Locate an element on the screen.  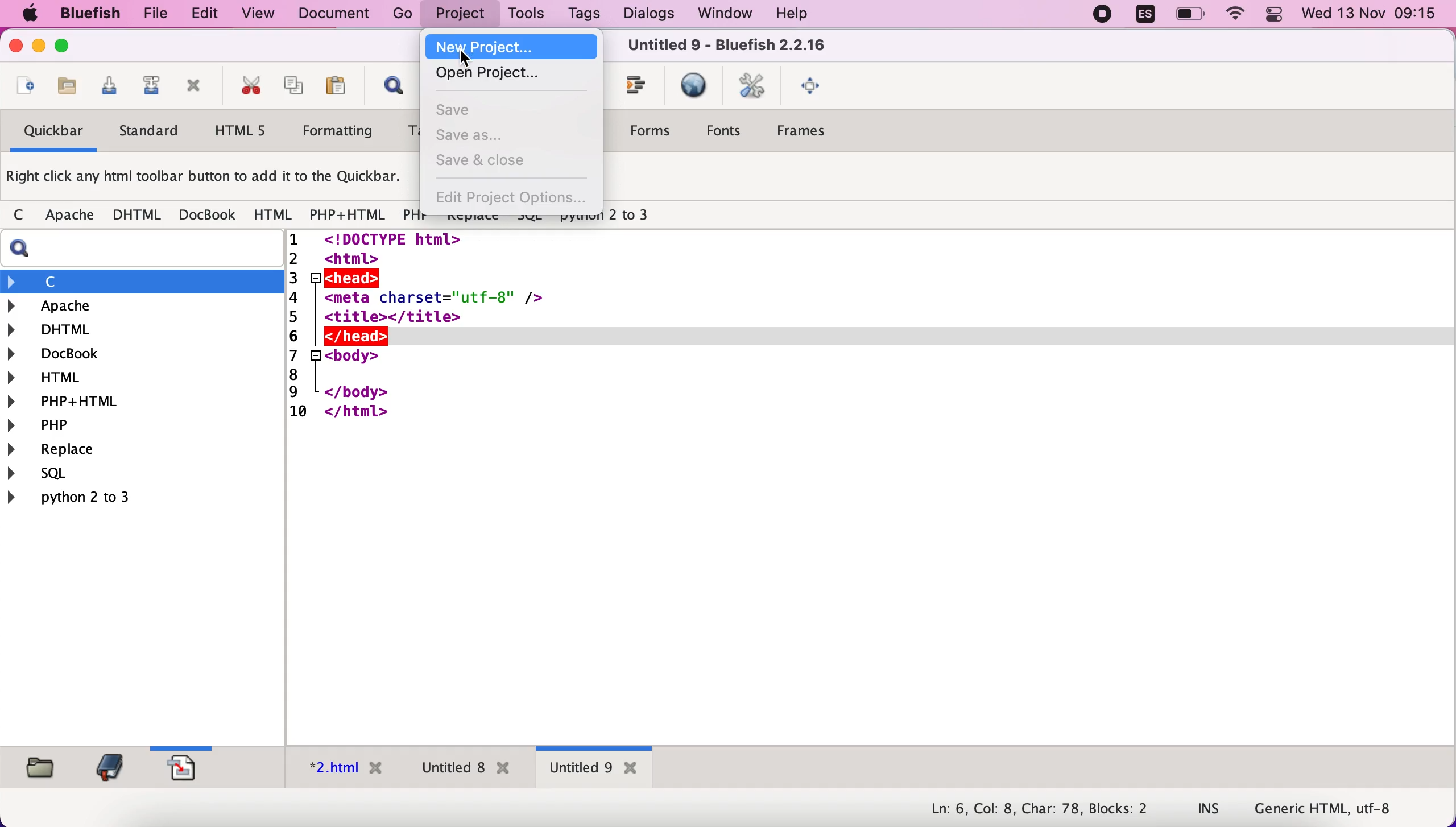
window is located at coordinates (721, 14).